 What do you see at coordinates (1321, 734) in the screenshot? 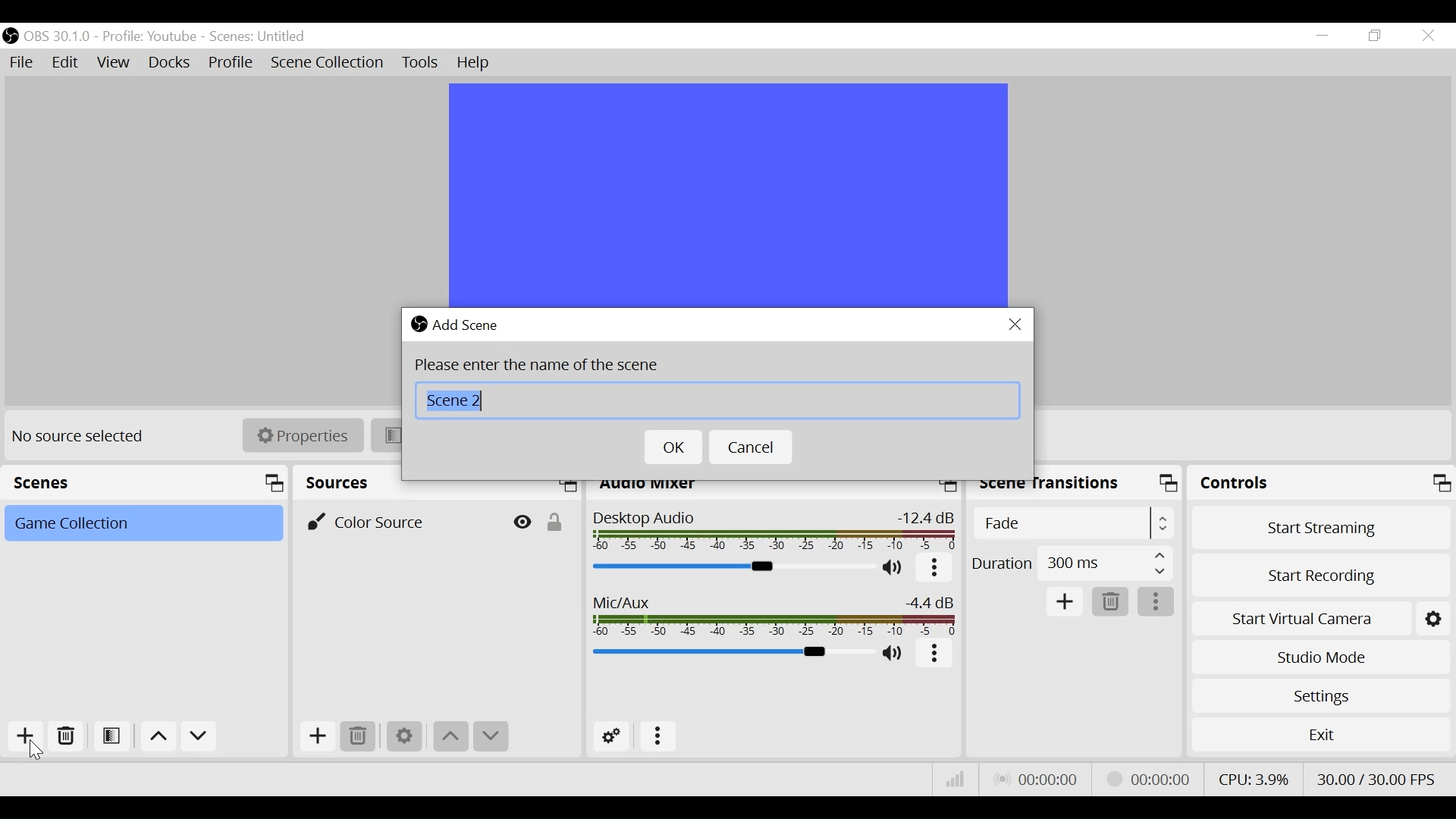
I see `Exit` at bounding box center [1321, 734].